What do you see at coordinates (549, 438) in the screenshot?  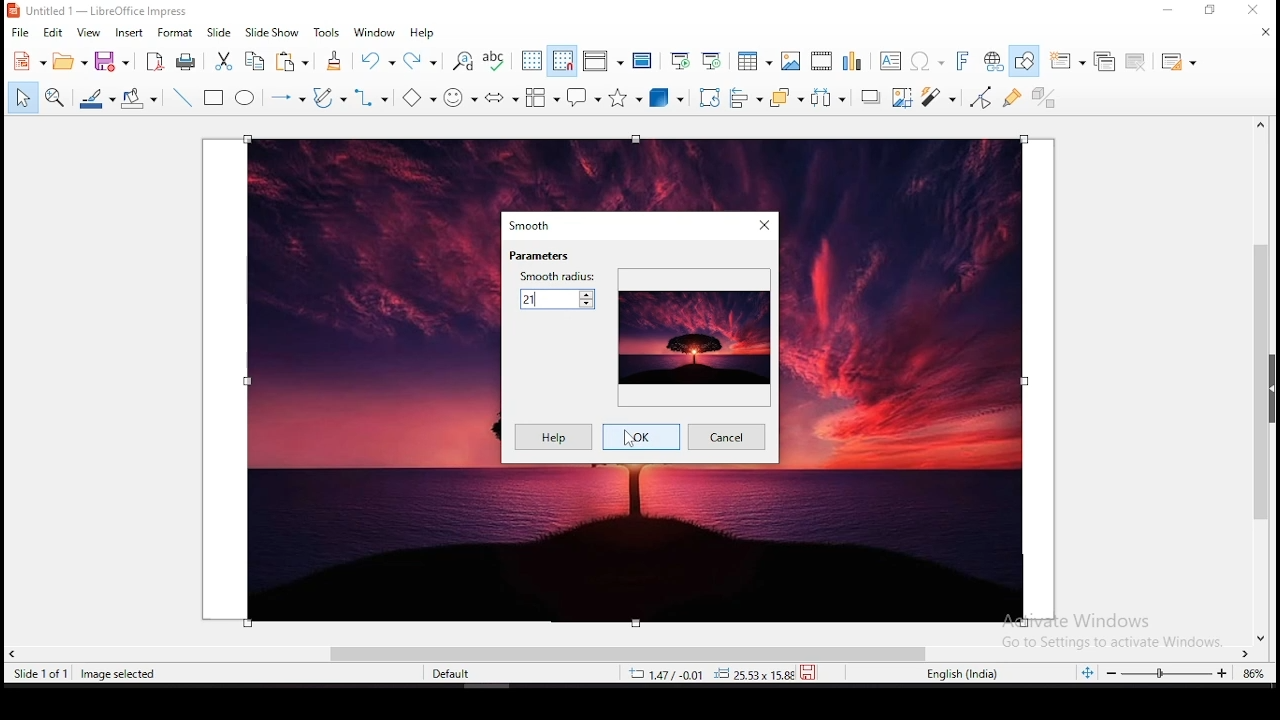 I see `help` at bounding box center [549, 438].